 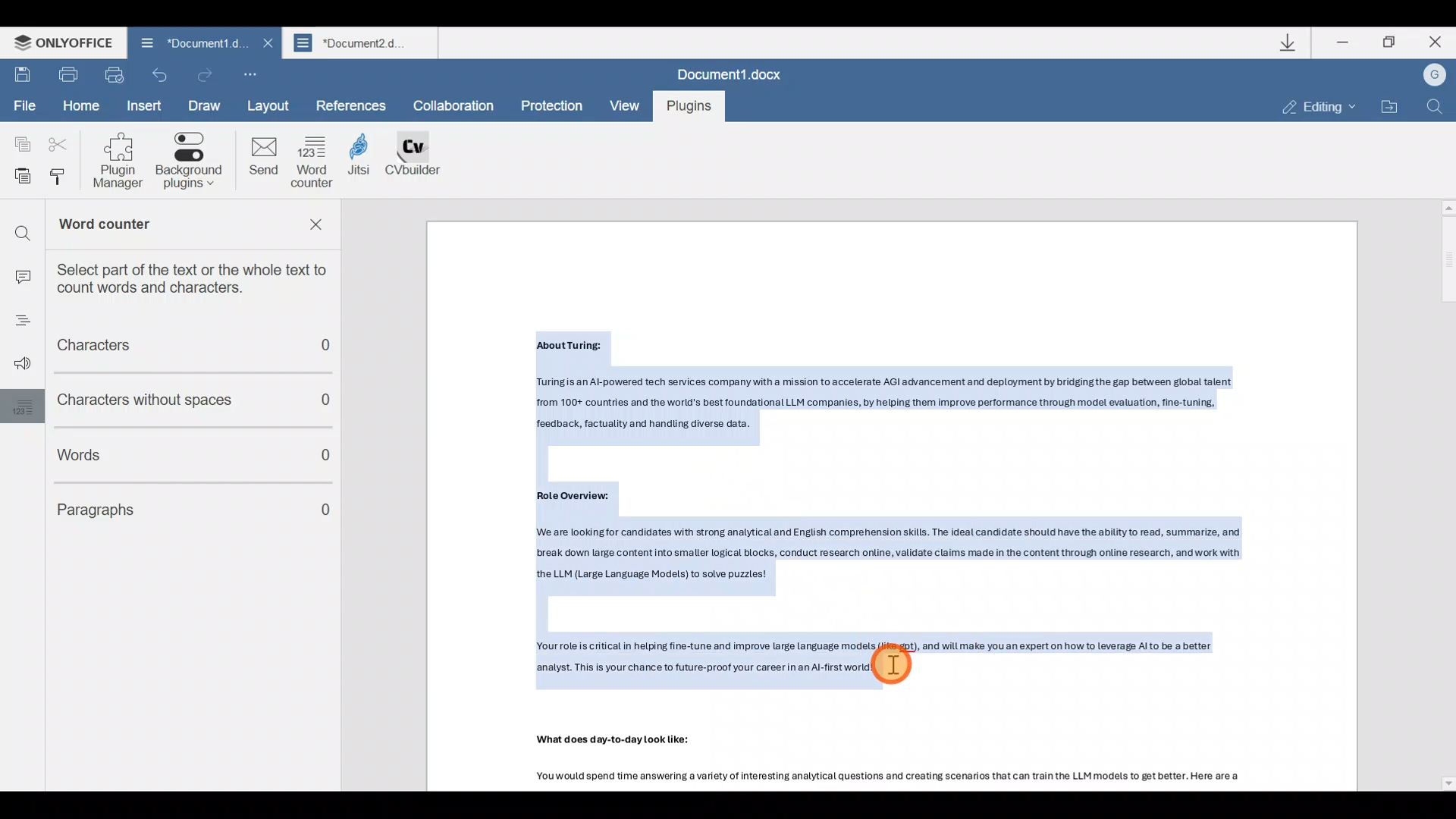 What do you see at coordinates (1391, 47) in the screenshot?
I see `Maximize` at bounding box center [1391, 47].